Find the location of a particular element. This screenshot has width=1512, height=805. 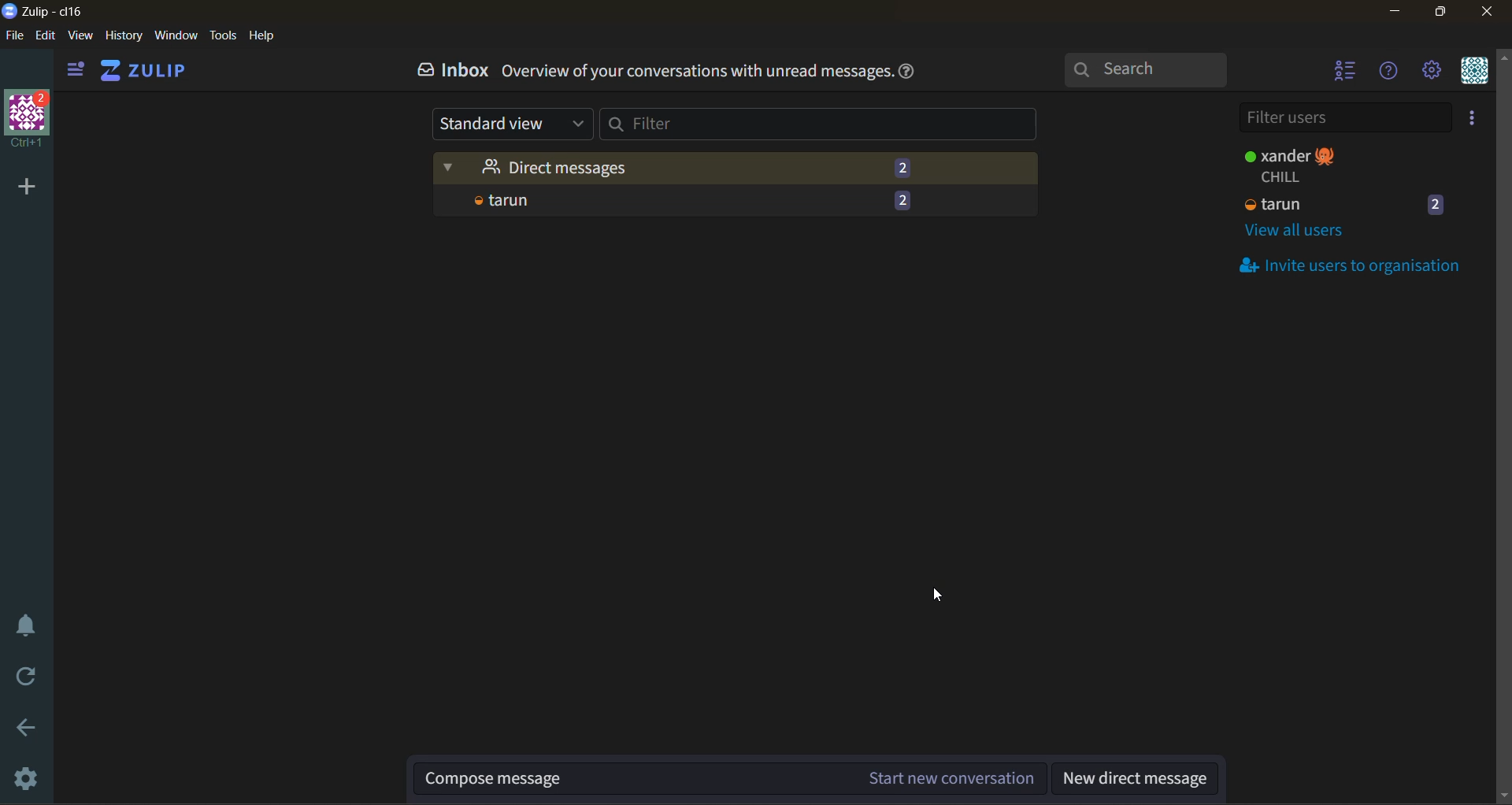

settings is located at coordinates (25, 779).